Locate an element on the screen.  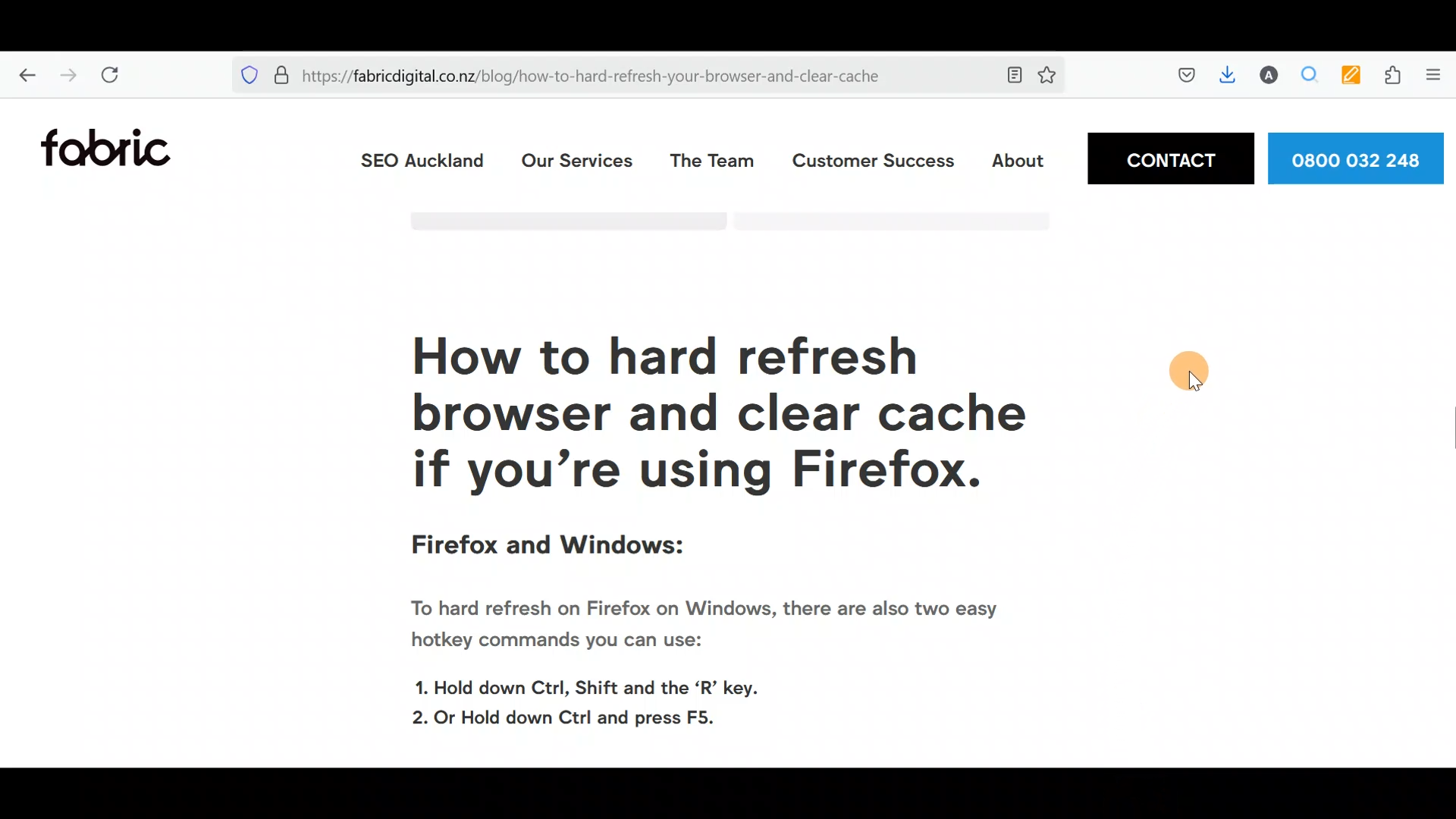
Extension is located at coordinates (1394, 78).